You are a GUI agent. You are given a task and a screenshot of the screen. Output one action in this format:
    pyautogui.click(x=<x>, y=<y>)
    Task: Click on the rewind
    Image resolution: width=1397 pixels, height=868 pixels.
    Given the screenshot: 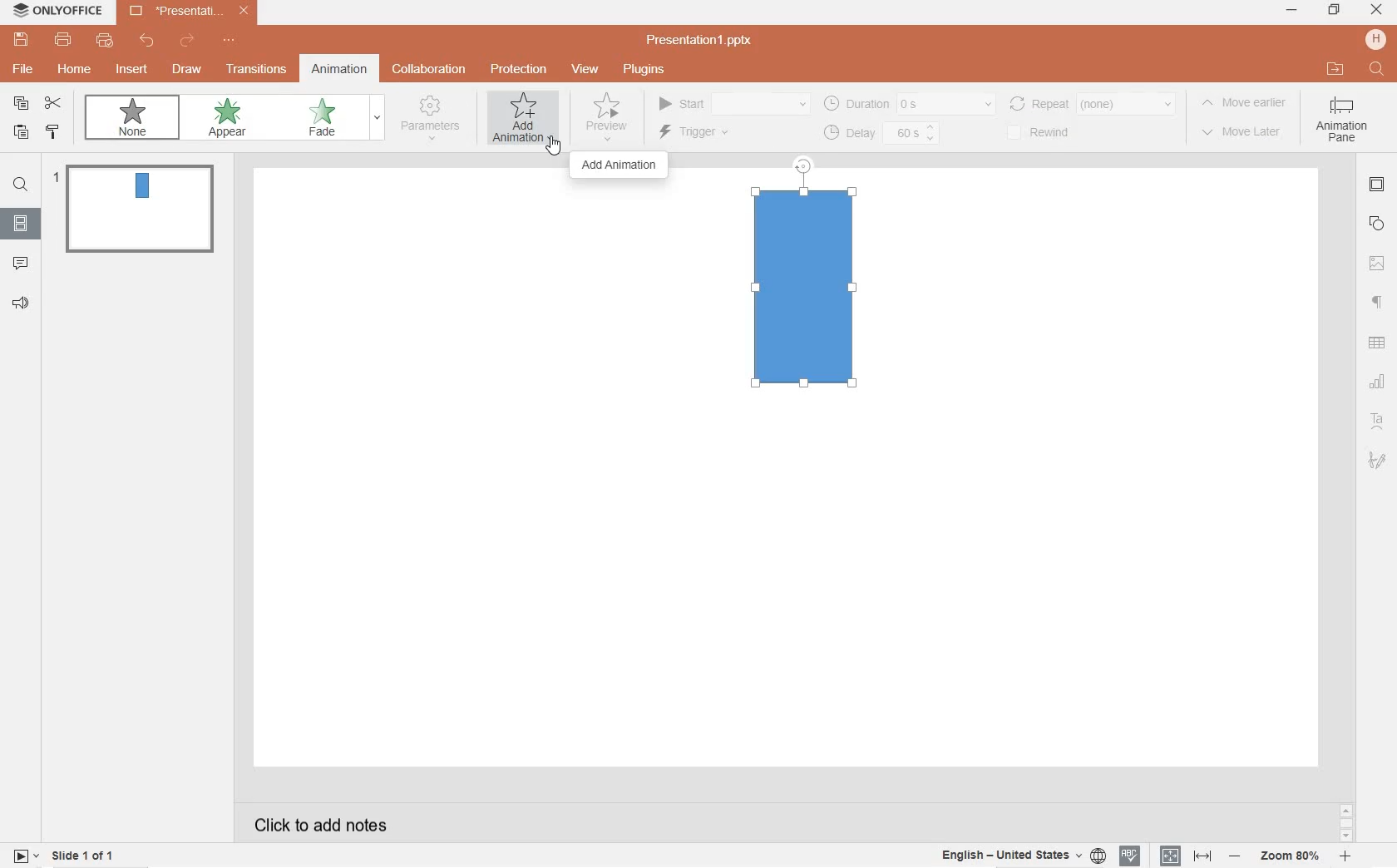 What is the action you would take?
    pyautogui.click(x=1052, y=131)
    